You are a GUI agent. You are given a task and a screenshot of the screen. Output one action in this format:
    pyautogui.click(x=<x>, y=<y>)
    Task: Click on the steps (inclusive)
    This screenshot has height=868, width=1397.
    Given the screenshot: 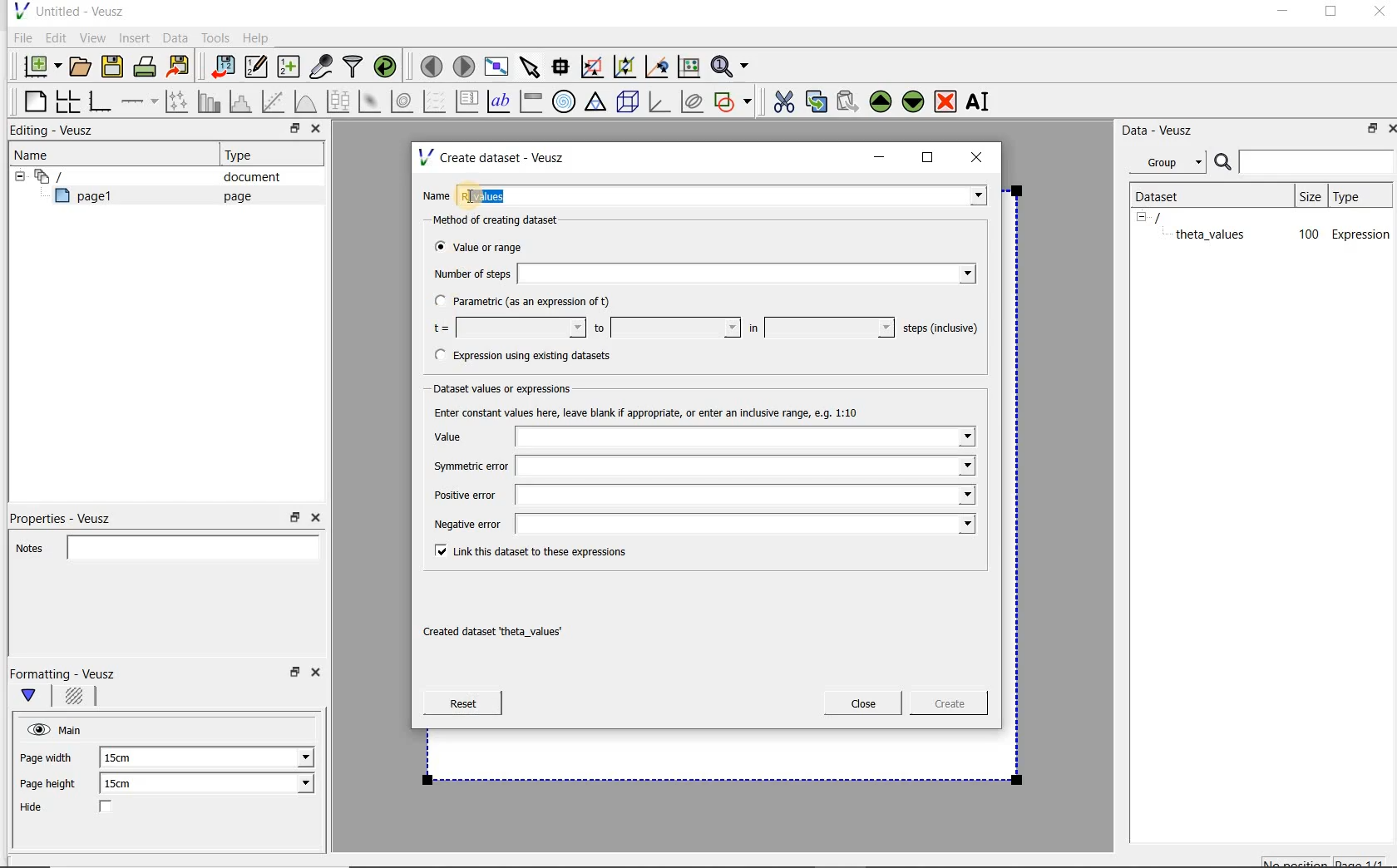 What is the action you would take?
    pyautogui.click(x=941, y=329)
    